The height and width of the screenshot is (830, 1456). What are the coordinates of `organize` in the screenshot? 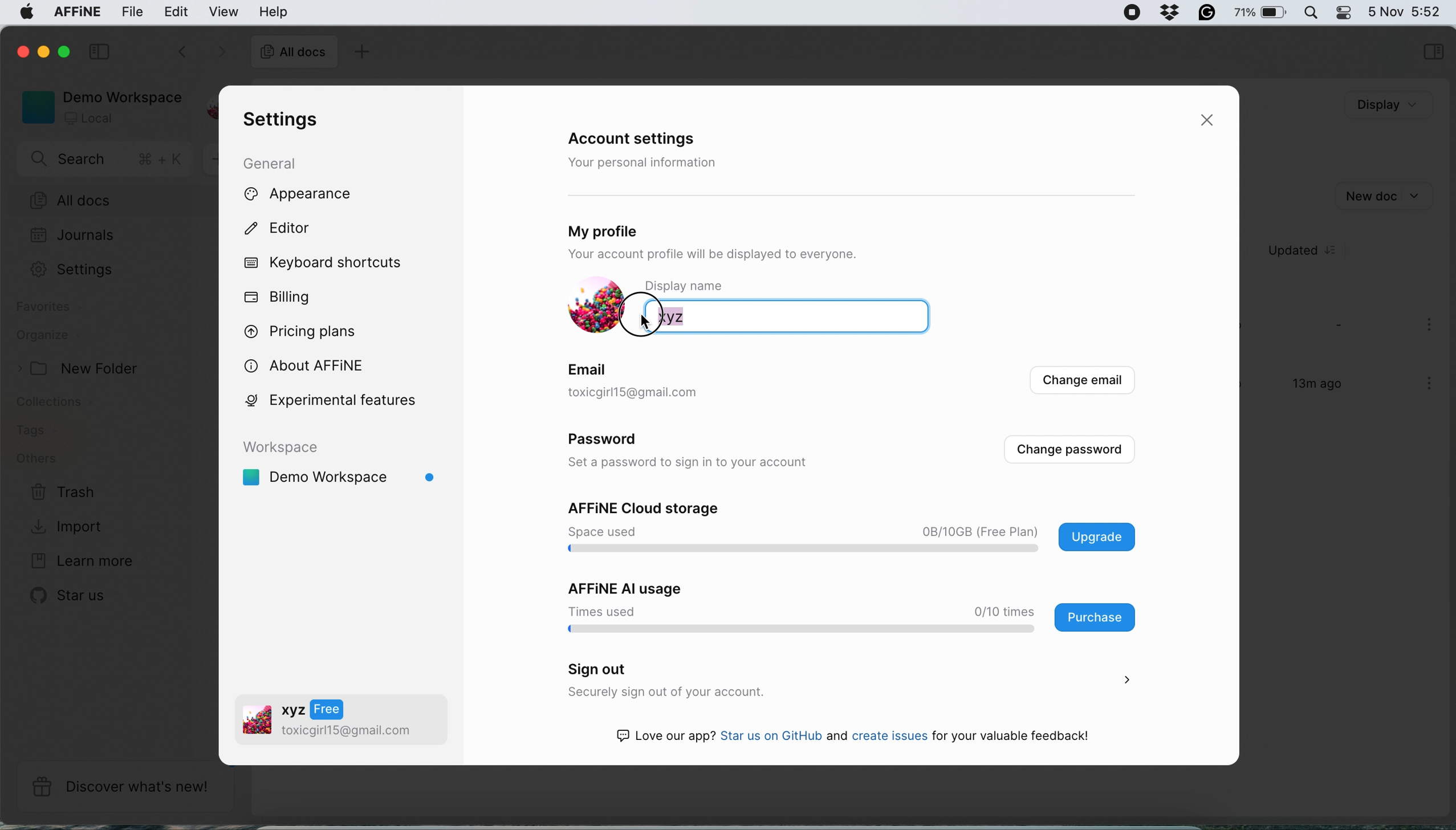 It's located at (48, 337).